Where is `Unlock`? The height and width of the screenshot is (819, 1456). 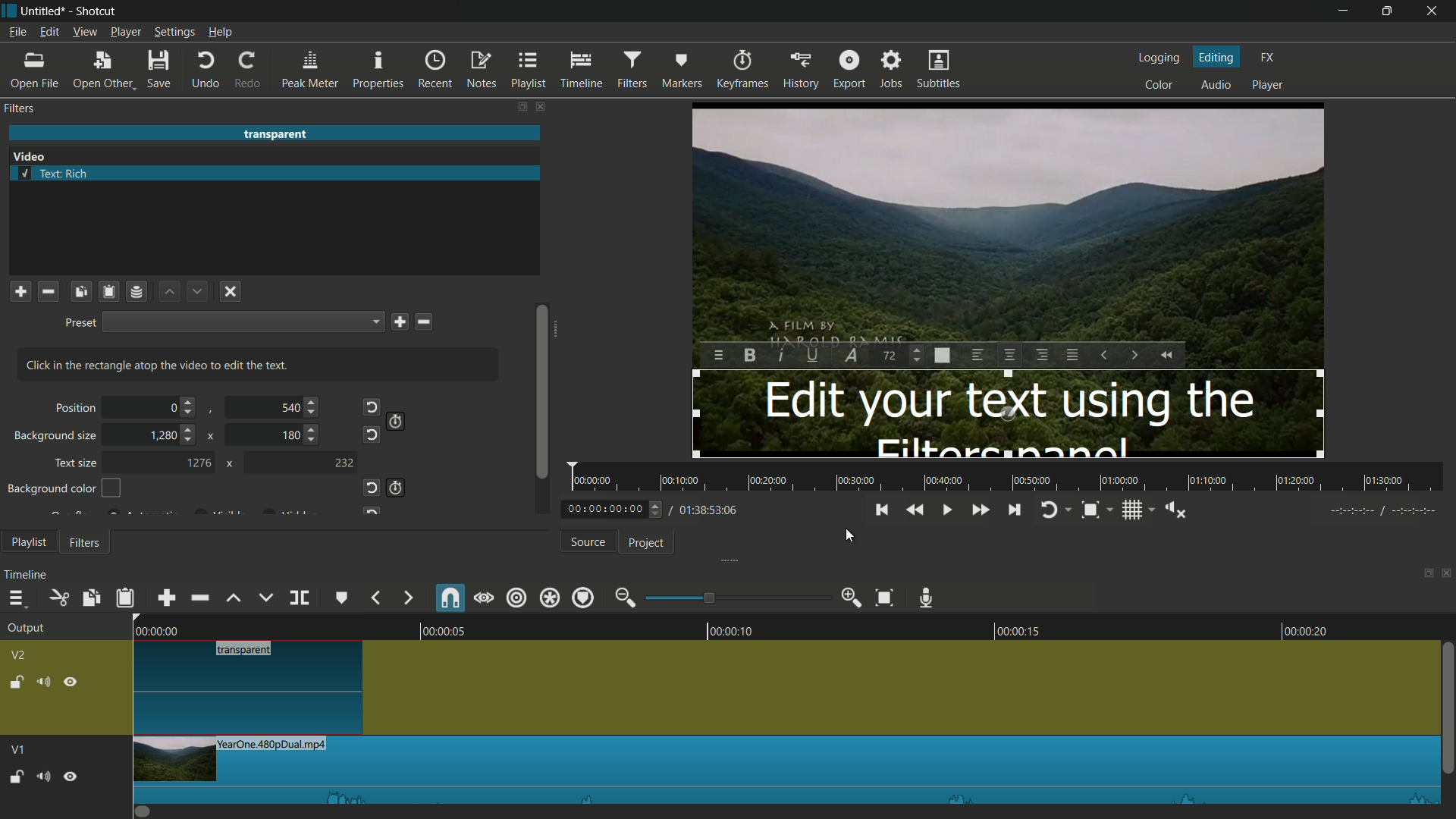 Unlock is located at coordinates (16, 777).